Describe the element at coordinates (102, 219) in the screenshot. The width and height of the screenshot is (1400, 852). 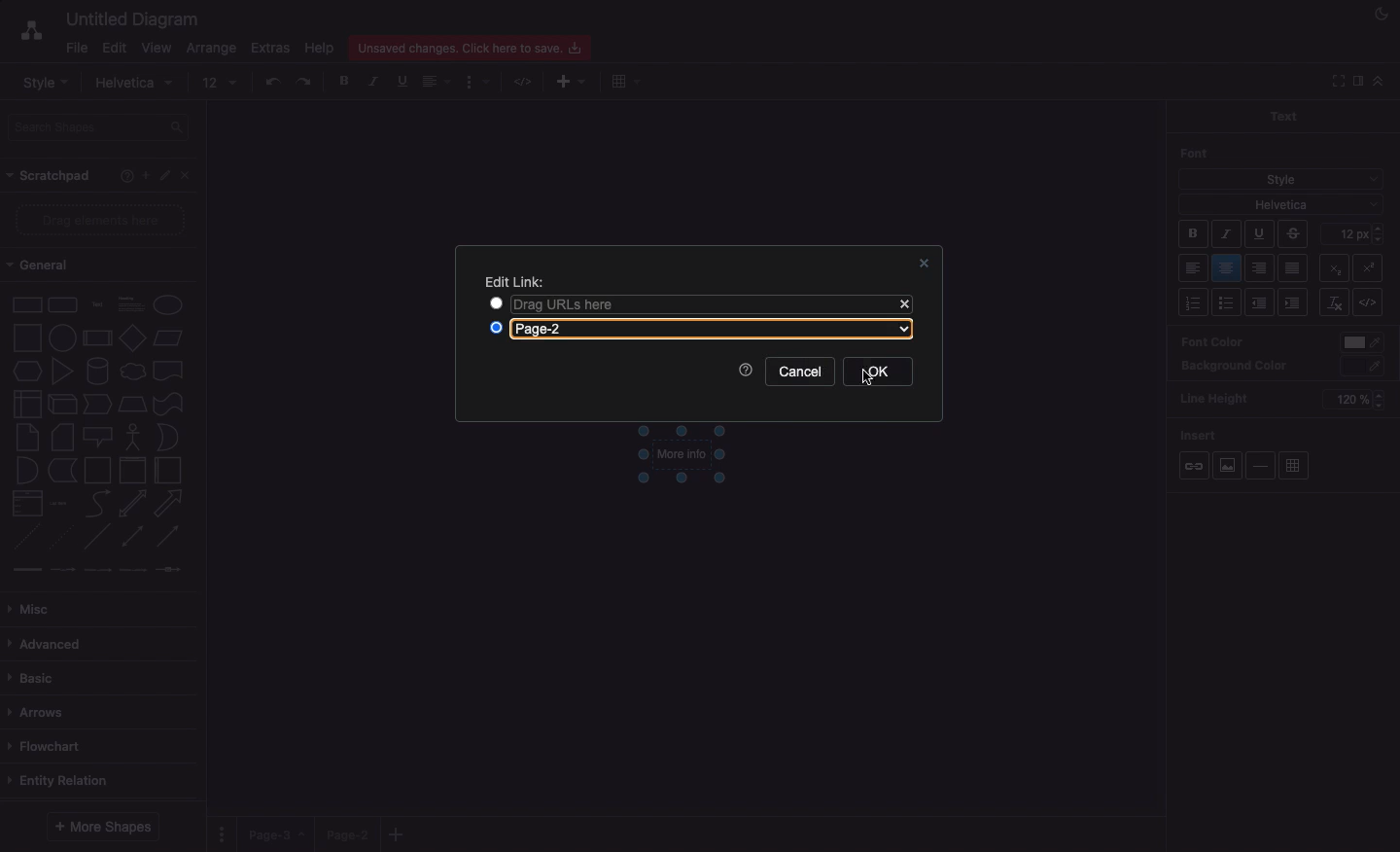
I see `Drag elements here` at that location.